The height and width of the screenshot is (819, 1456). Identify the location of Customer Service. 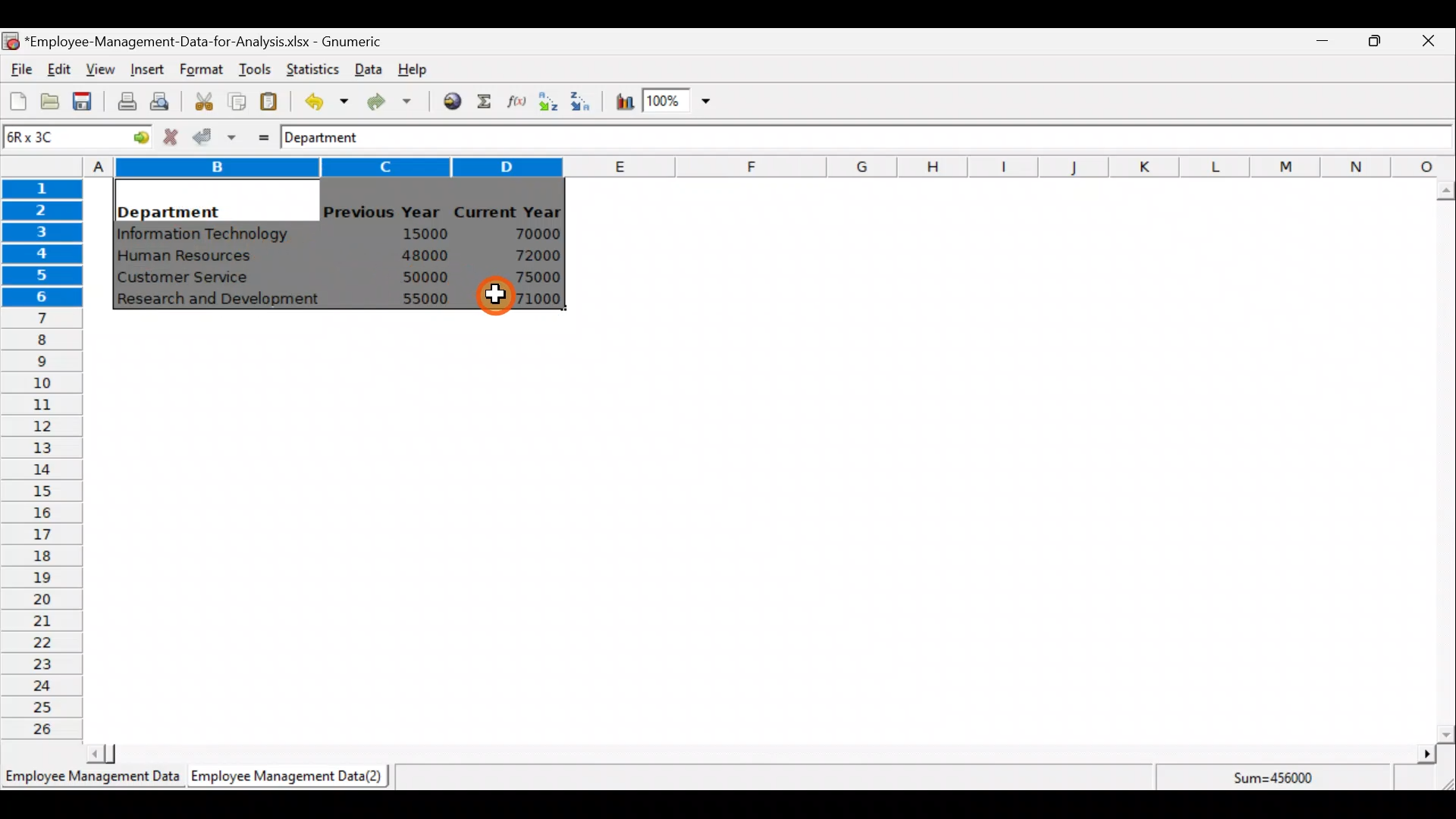
(187, 281).